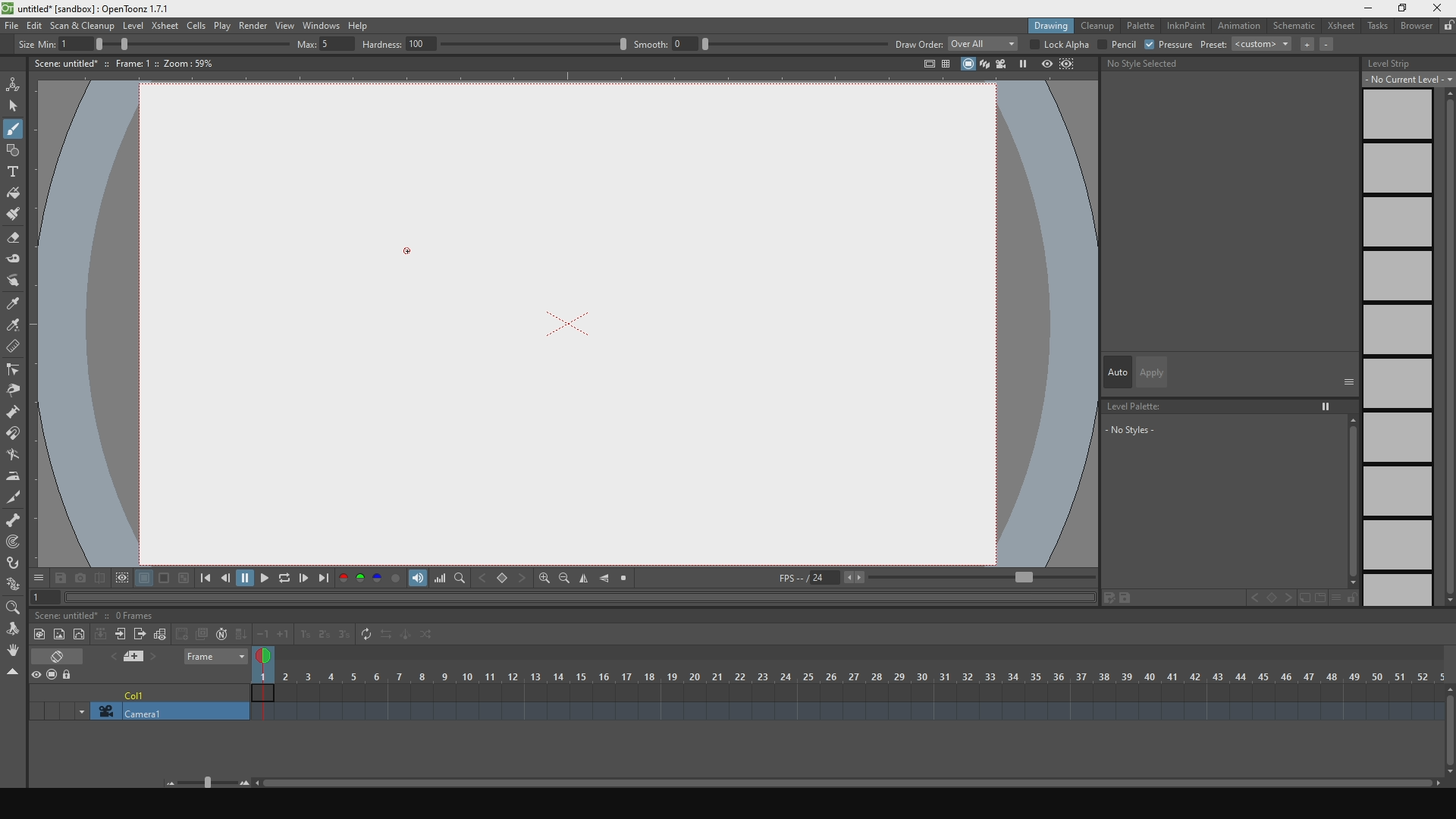 Image resolution: width=1456 pixels, height=819 pixels. Describe the element at coordinates (1003, 64) in the screenshot. I see `camera` at that location.